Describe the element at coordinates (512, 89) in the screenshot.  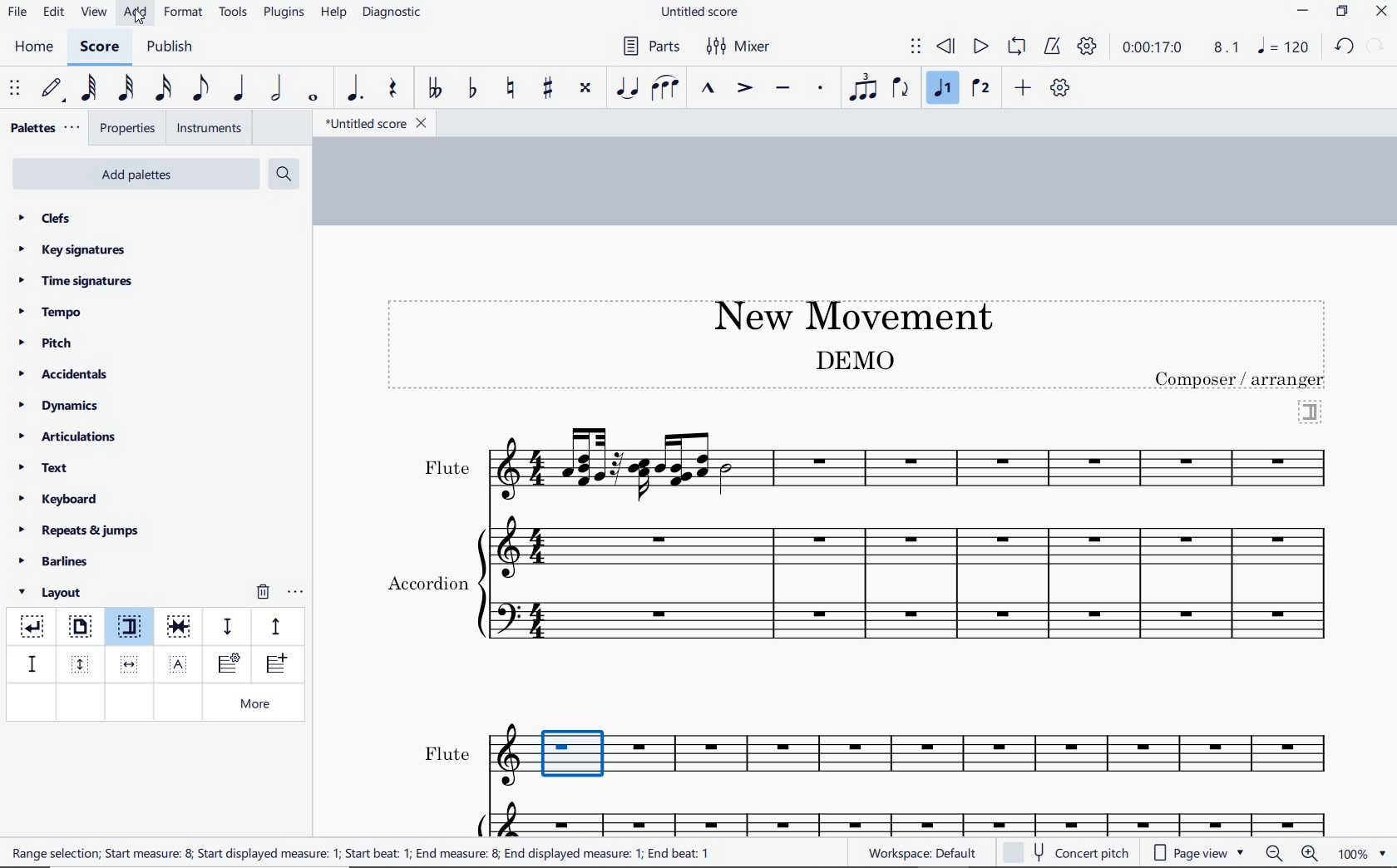
I see `toggle natural` at that location.